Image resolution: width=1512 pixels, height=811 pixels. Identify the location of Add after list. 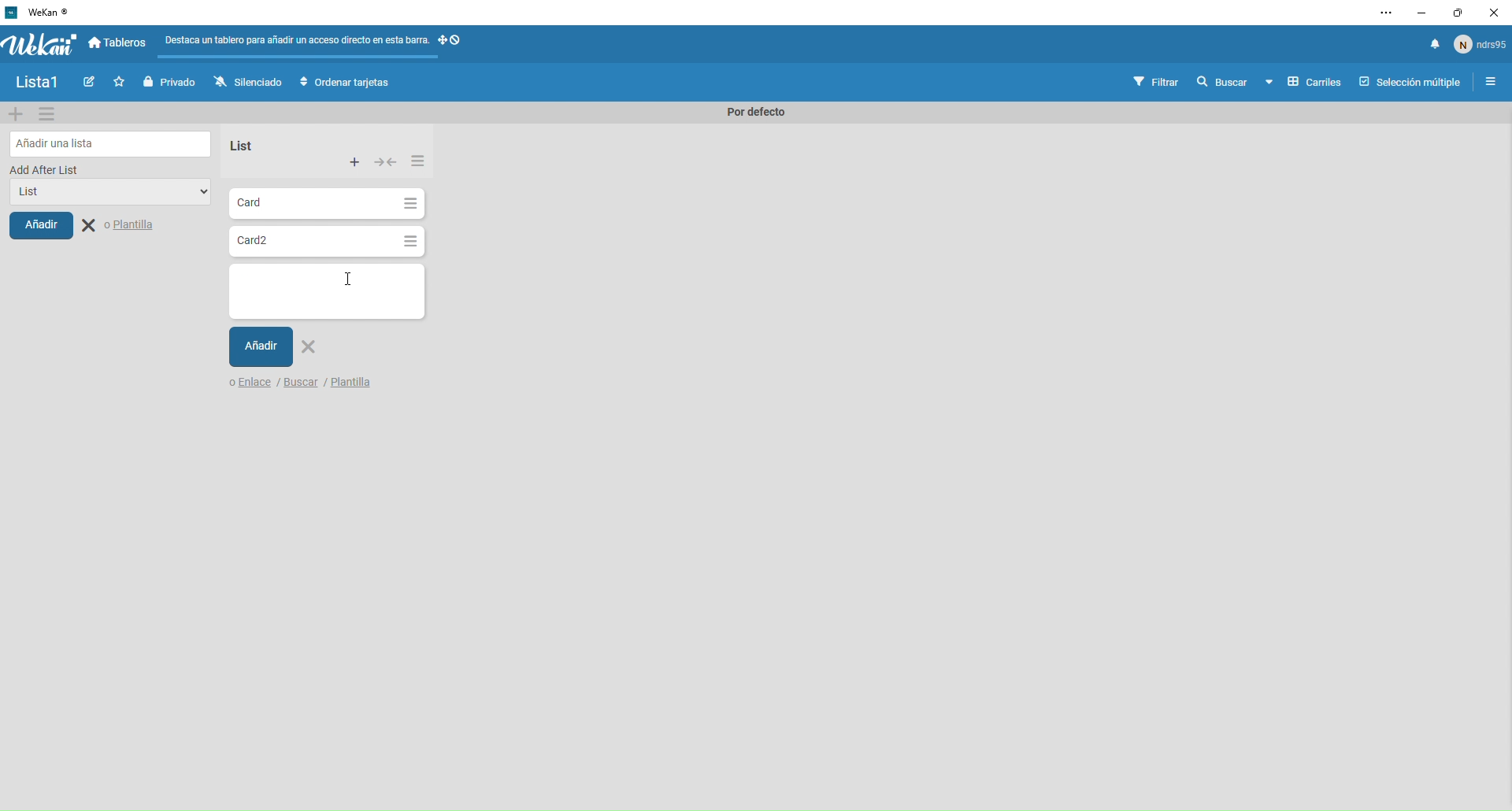
(46, 169).